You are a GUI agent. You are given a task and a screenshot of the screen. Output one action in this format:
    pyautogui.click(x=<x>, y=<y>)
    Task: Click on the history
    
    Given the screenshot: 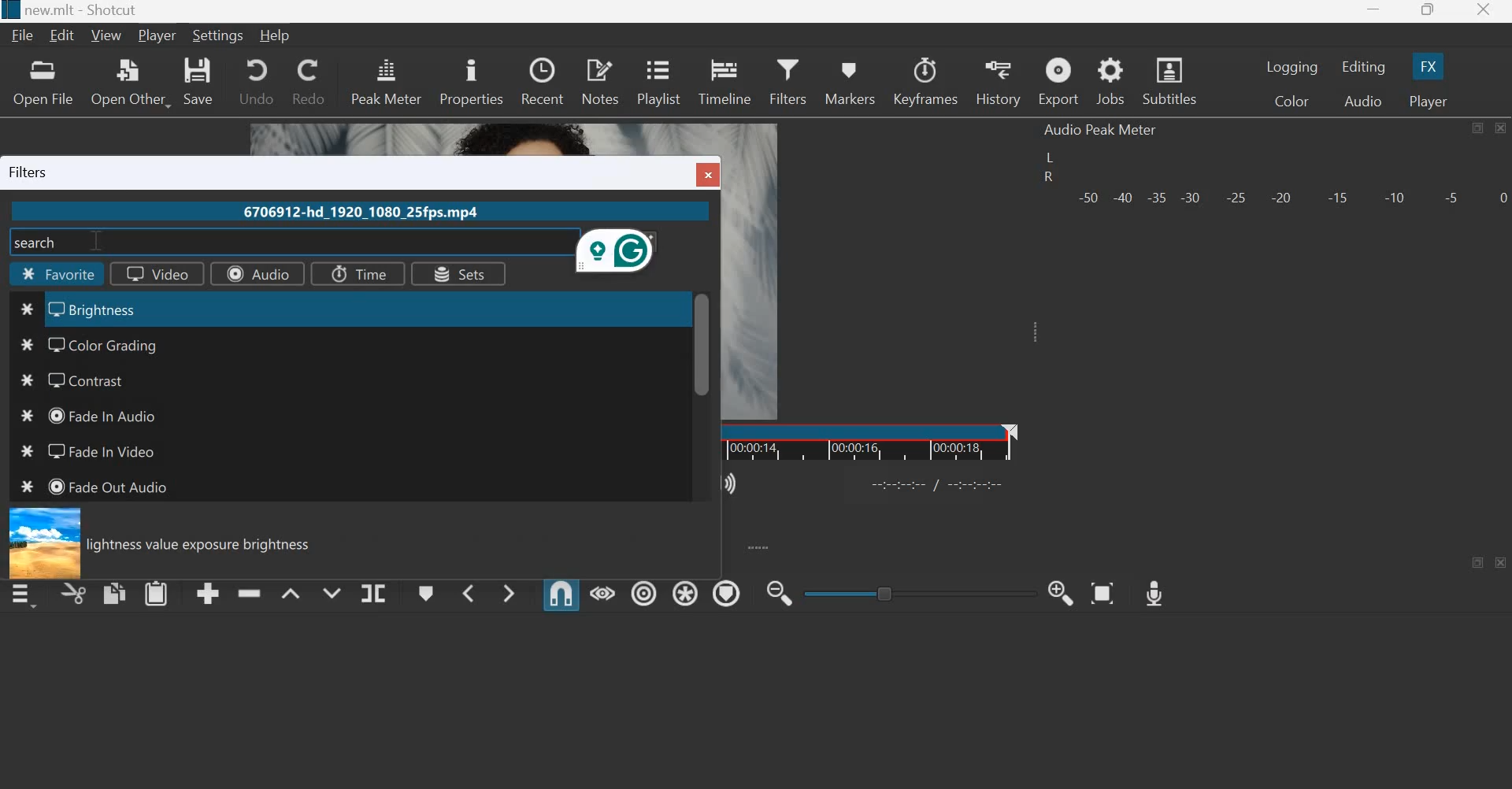 What is the action you would take?
    pyautogui.click(x=997, y=82)
    